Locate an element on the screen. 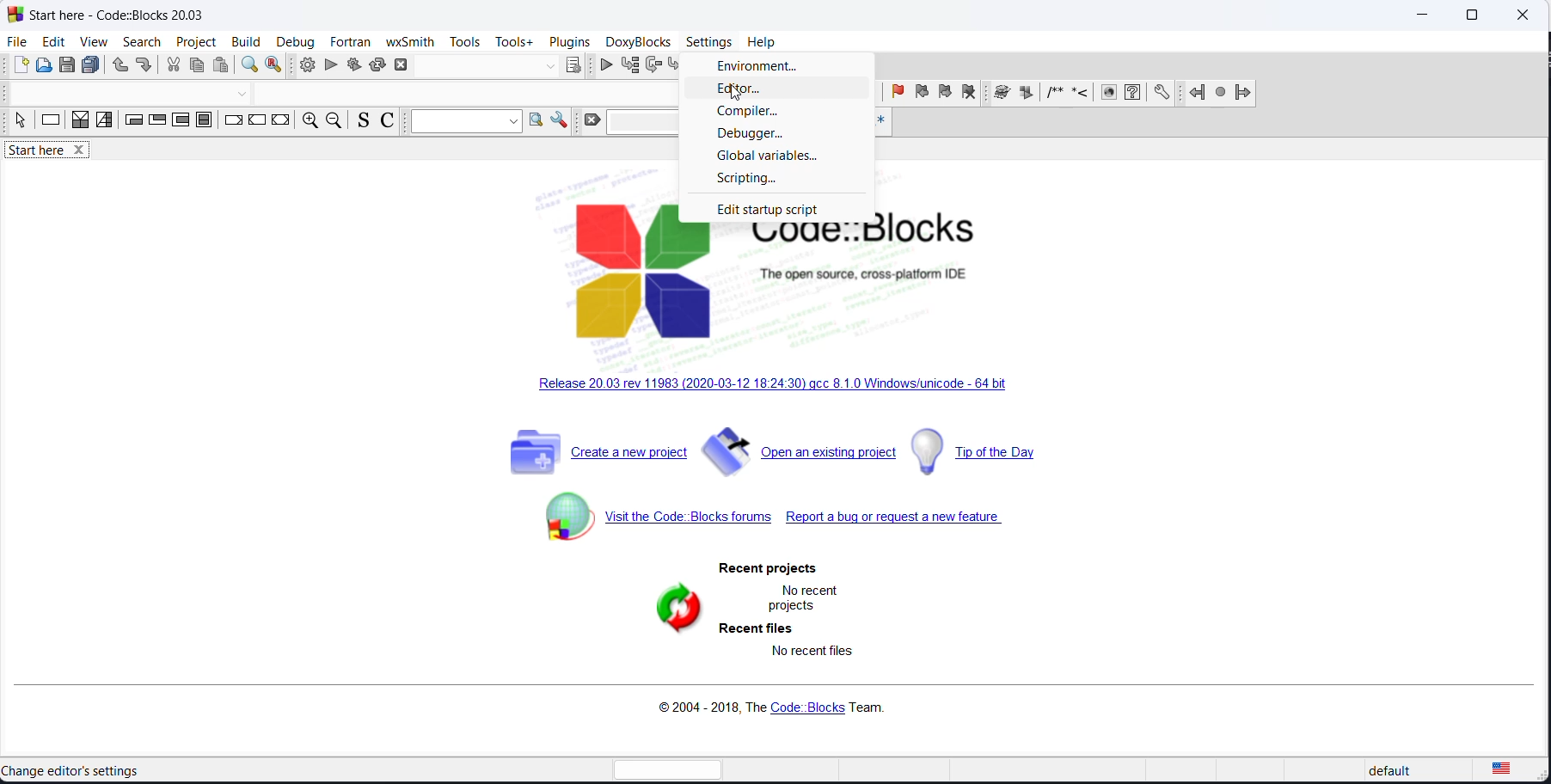 This screenshot has width=1551, height=784. next line is located at coordinates (656, 65).